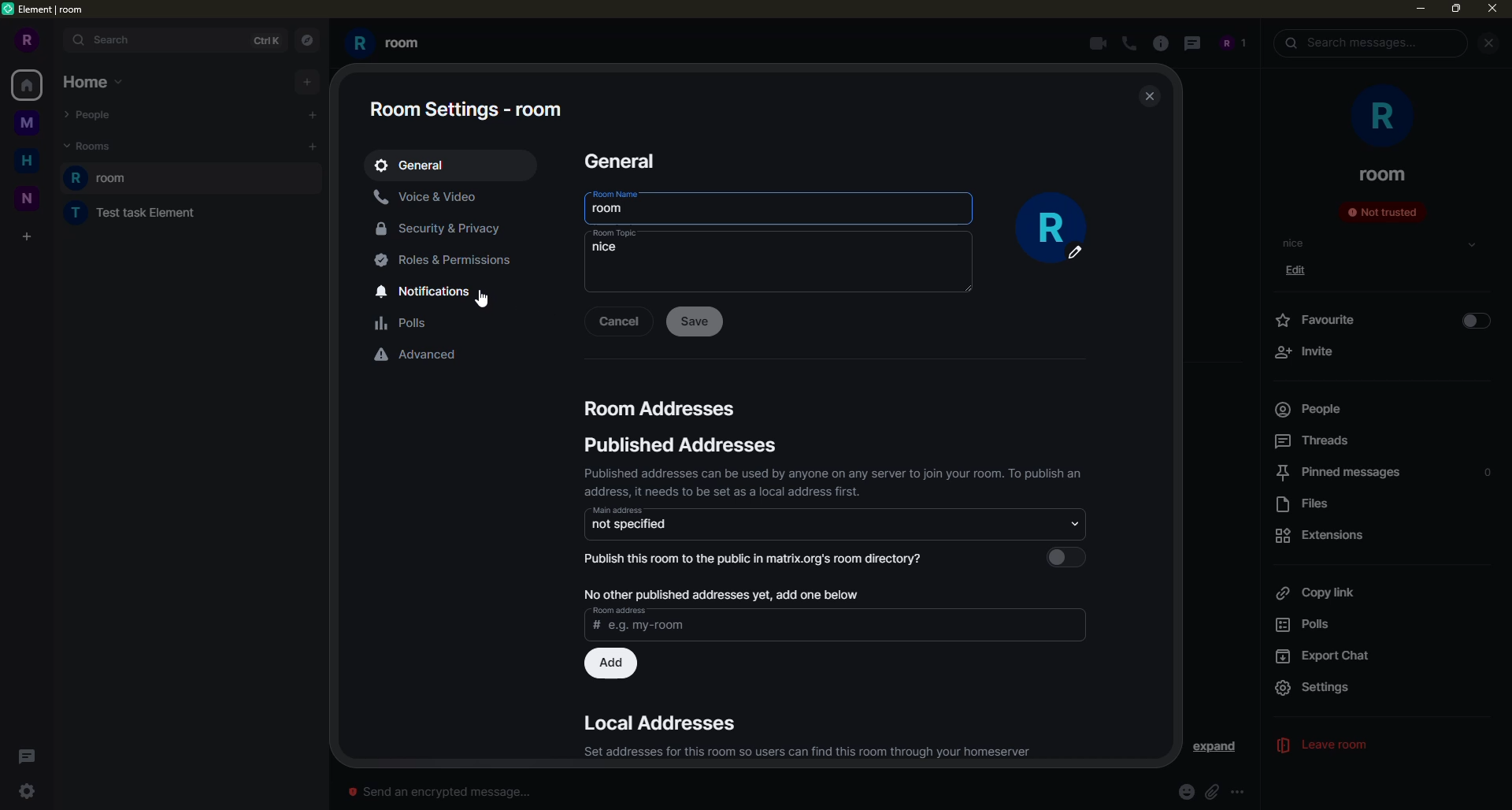 The image size is (1512, 810). I want to click on info, so click(1163, 43).